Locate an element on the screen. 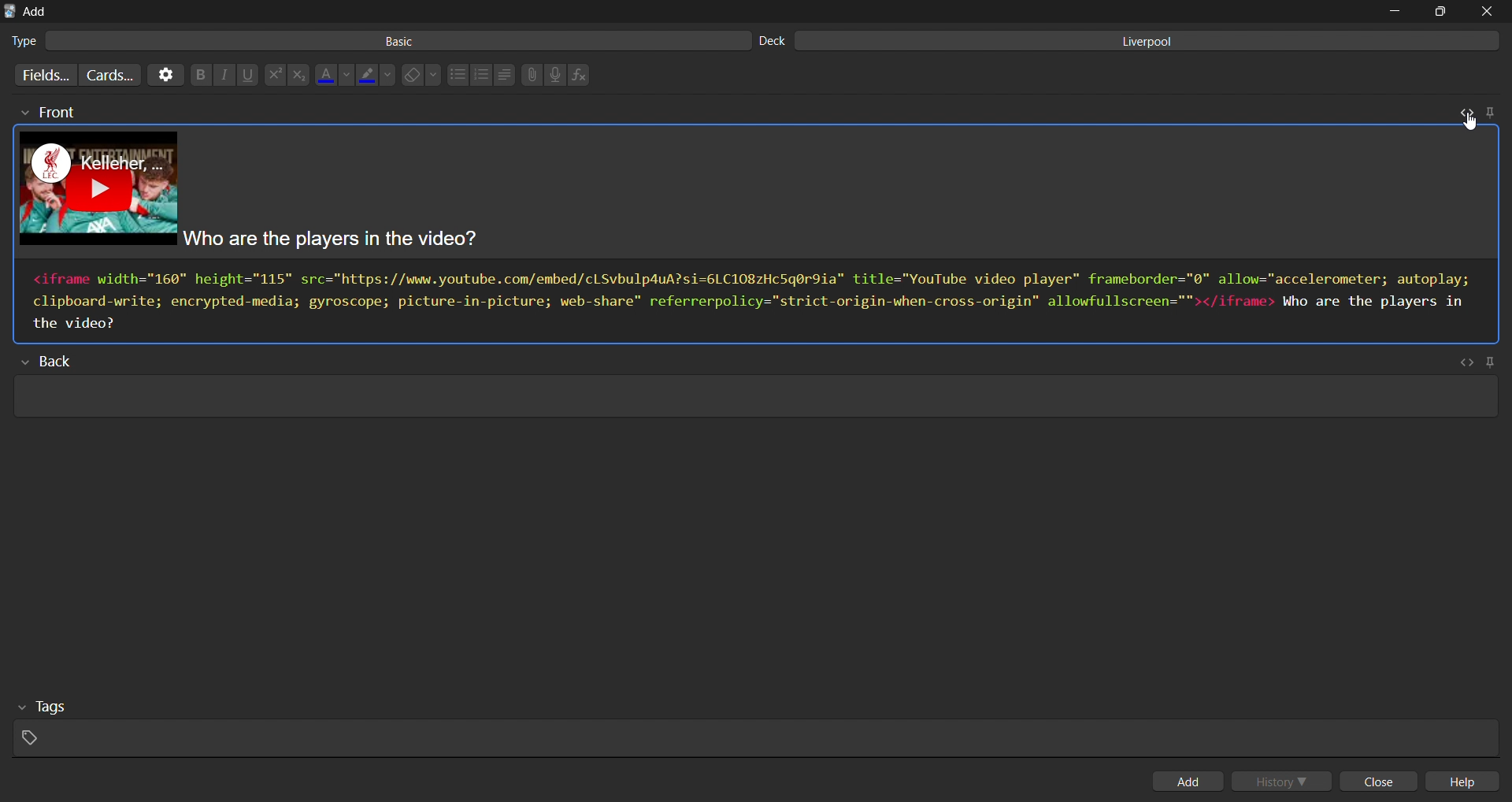 The image size is (1512, 802). toggle html editor is located at coordinates (1463, 111).